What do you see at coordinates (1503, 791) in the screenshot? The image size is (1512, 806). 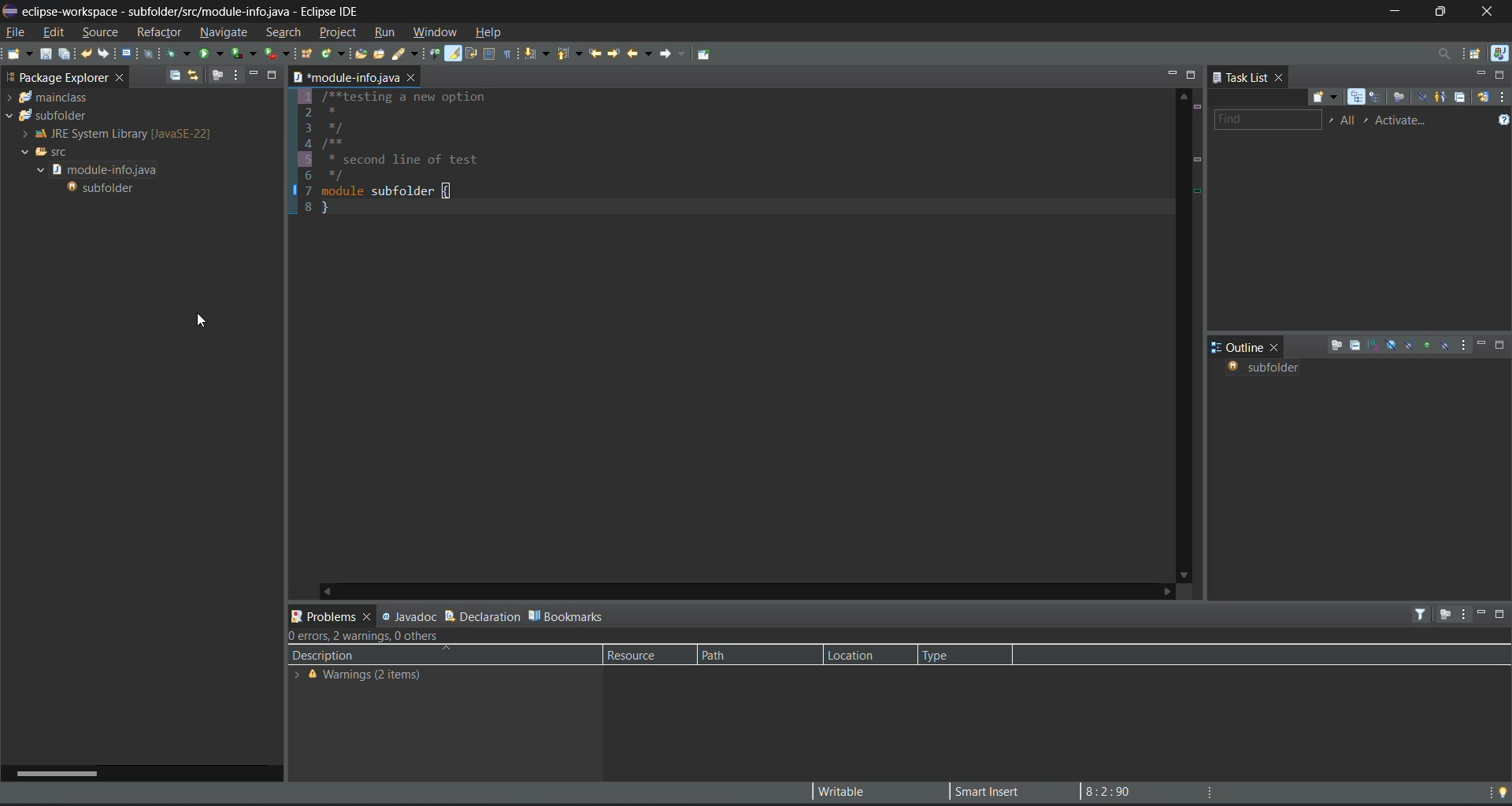 I see `tip of the day` at bounding box center [1503, 791].